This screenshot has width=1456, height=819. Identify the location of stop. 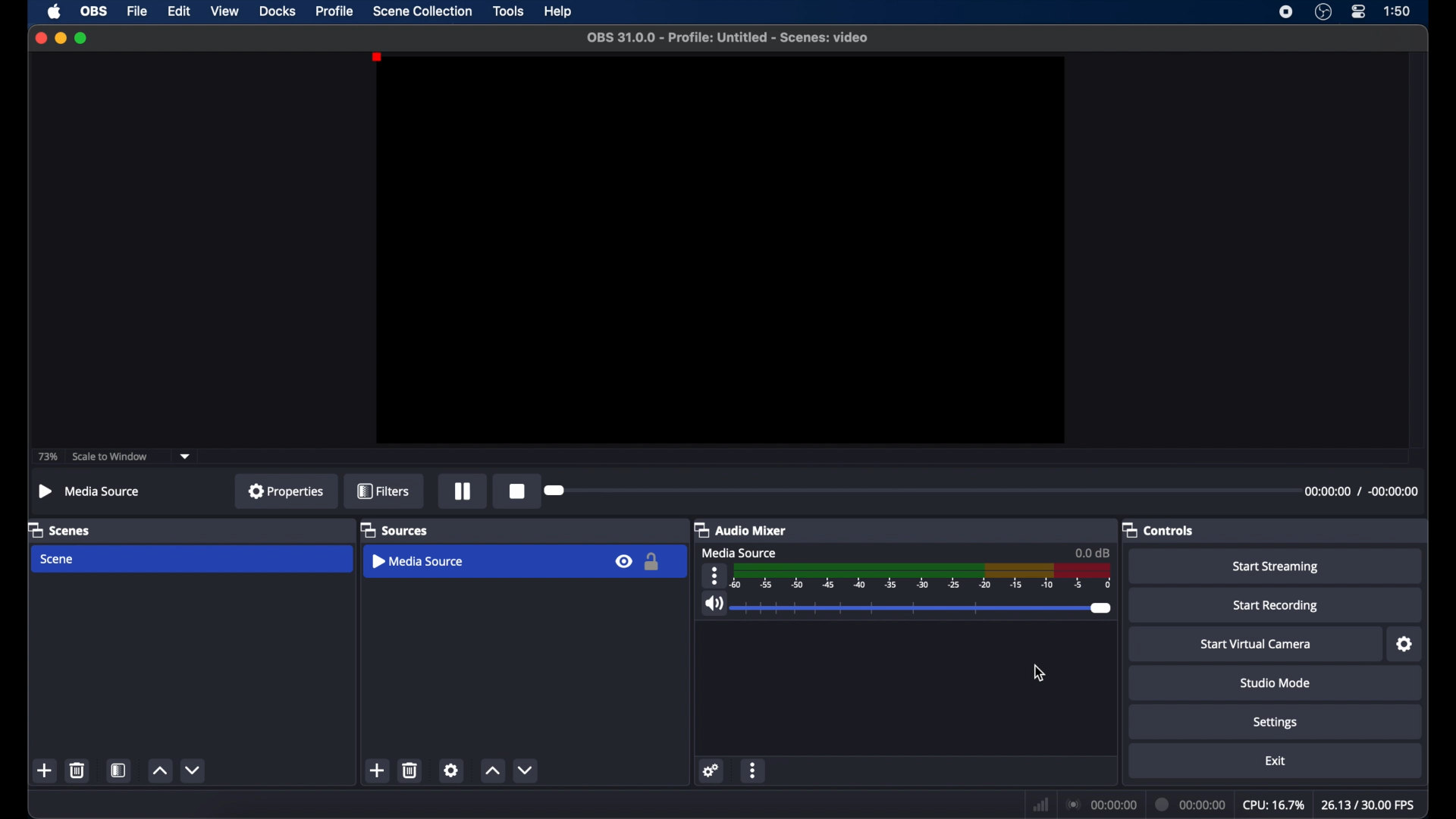
(516, 493).